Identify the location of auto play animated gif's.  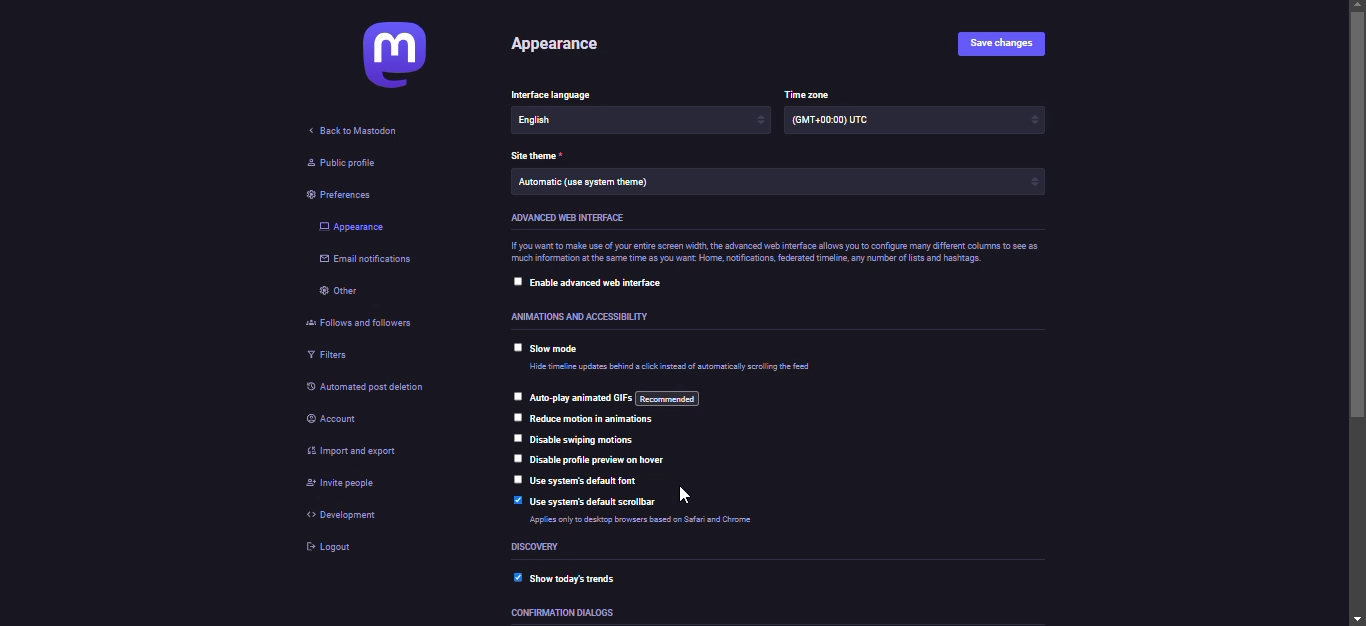
(616, 397).